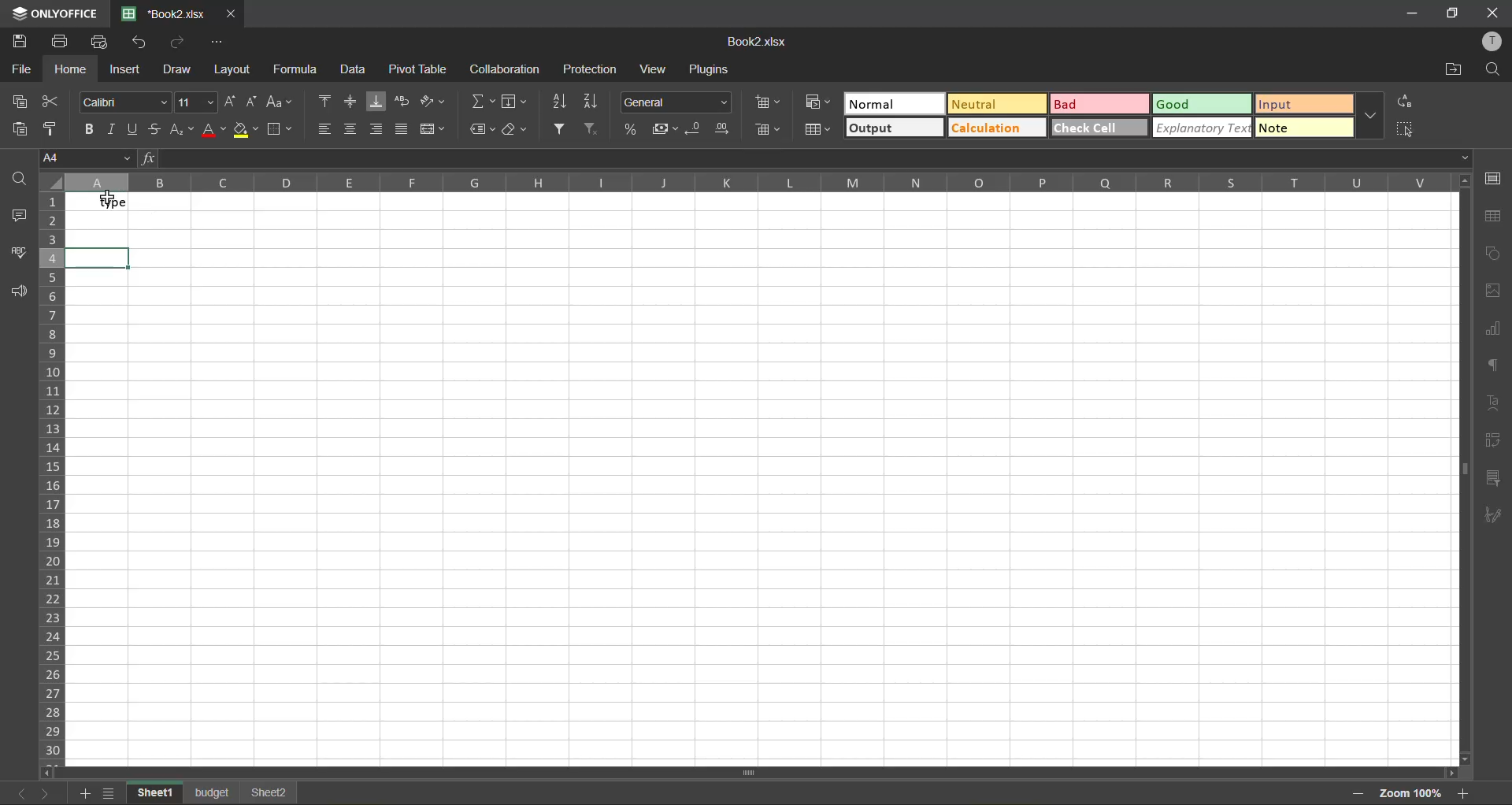 This screenshot has height=805, width=1512. Describe the element at coordinates (352, 101) in the screenshot. I see `align middle` at that location.